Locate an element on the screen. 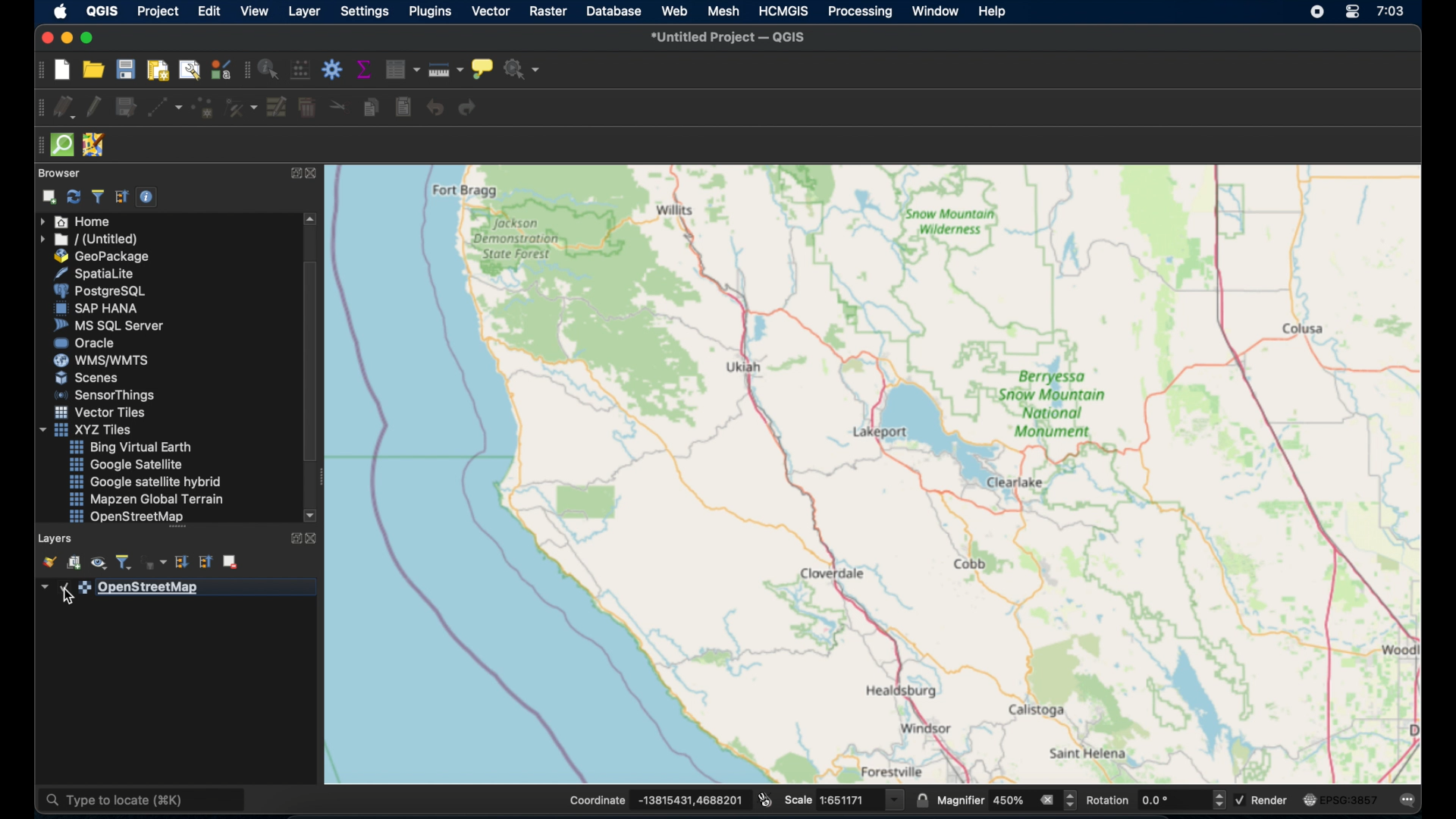  open project is located at coordinates (95, 69).